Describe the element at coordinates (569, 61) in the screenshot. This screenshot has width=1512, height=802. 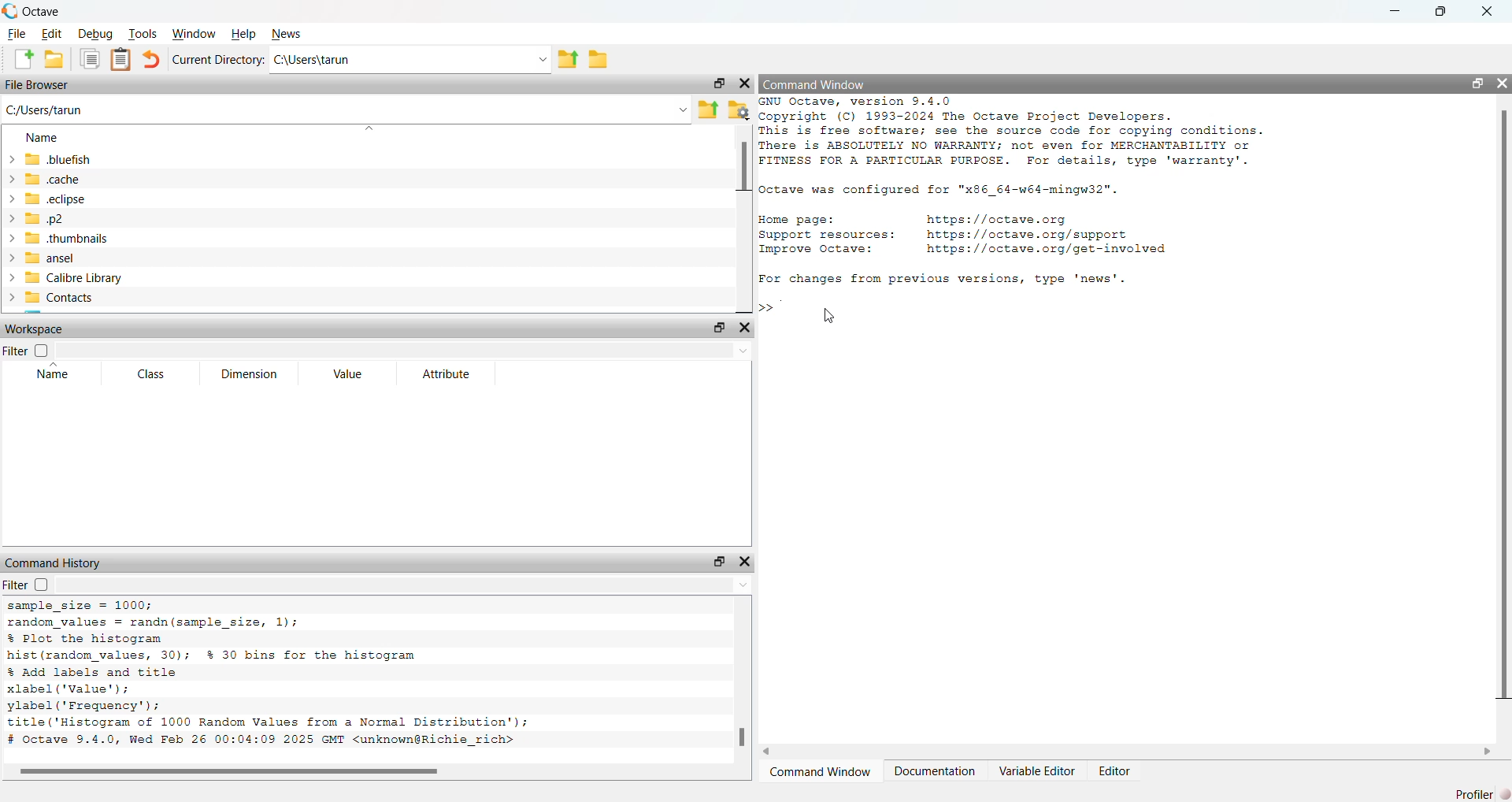
I see `Previous Folder` at that location.